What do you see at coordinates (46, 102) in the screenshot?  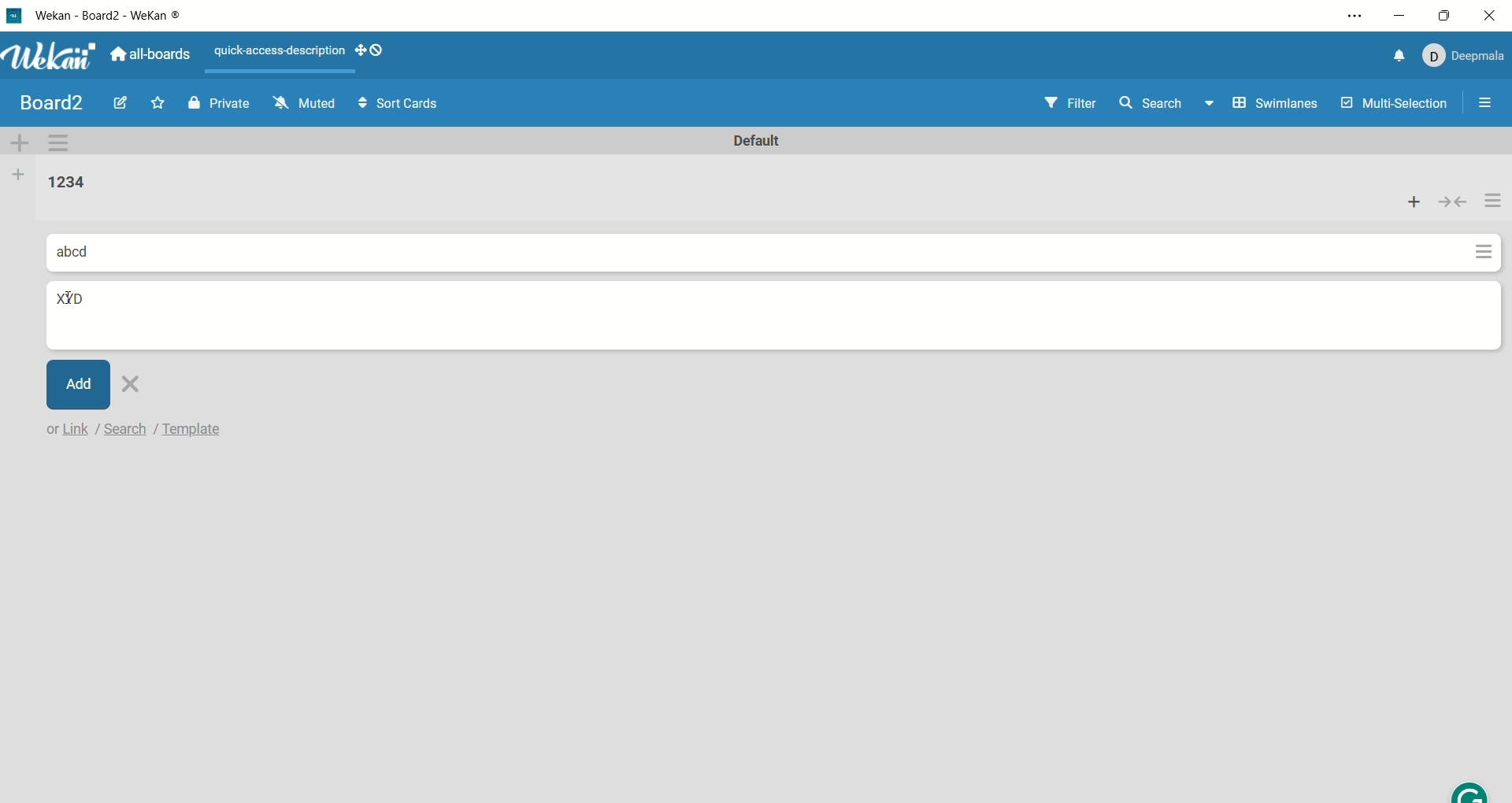 I see `title` at bounding box center [46, 102].